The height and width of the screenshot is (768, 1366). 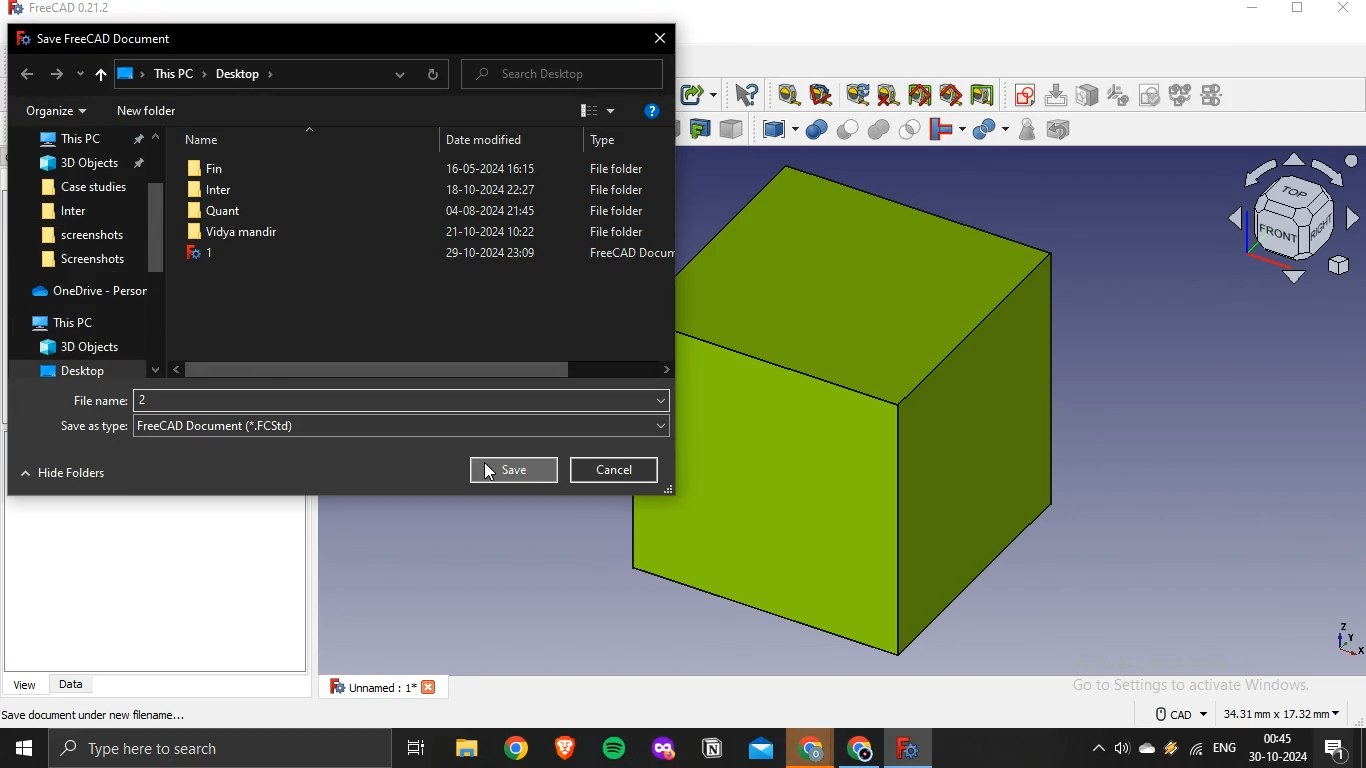 I want to click on view, so click(x=595, y=109).